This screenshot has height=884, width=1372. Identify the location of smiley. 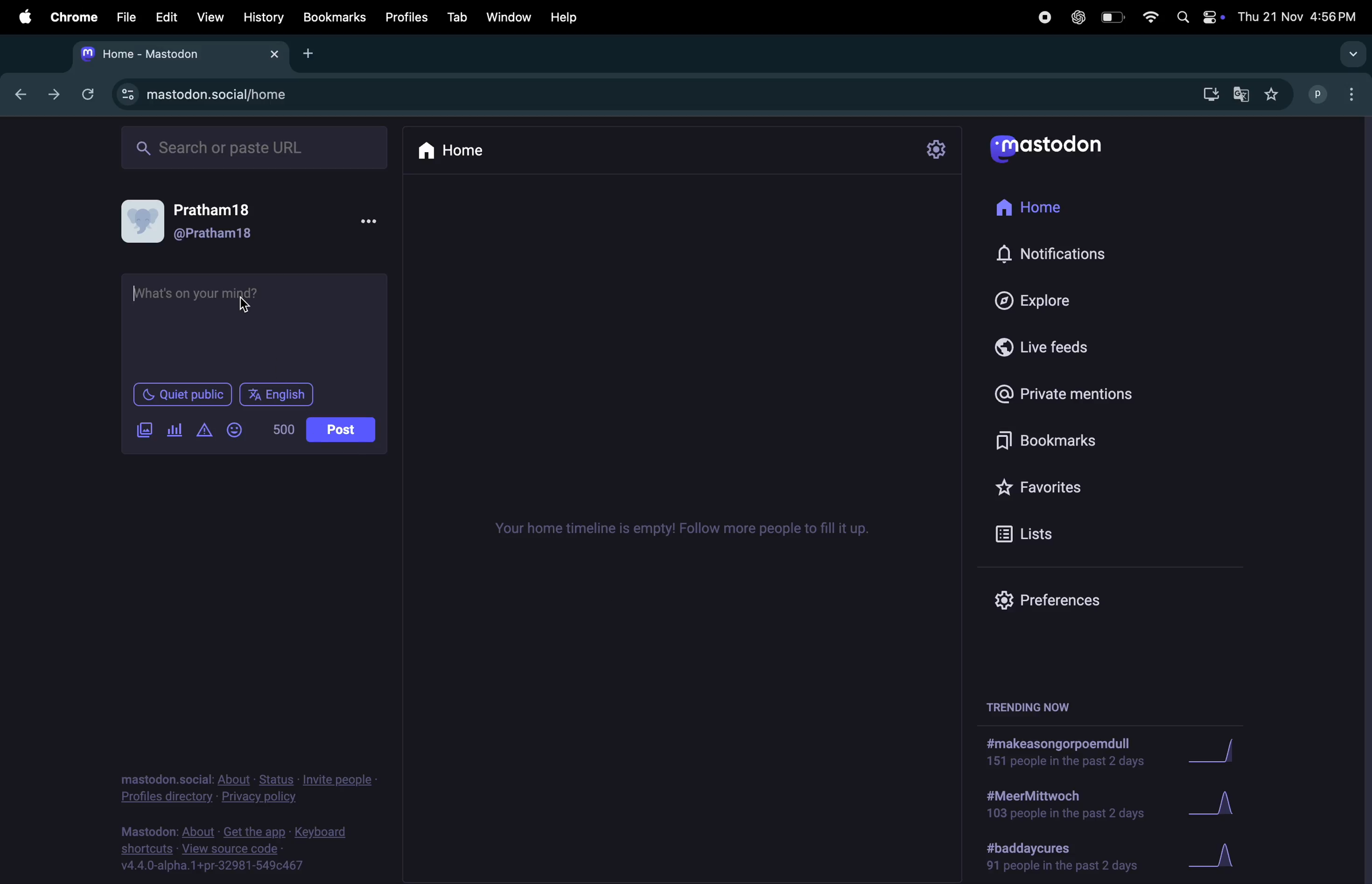
(237, 431).